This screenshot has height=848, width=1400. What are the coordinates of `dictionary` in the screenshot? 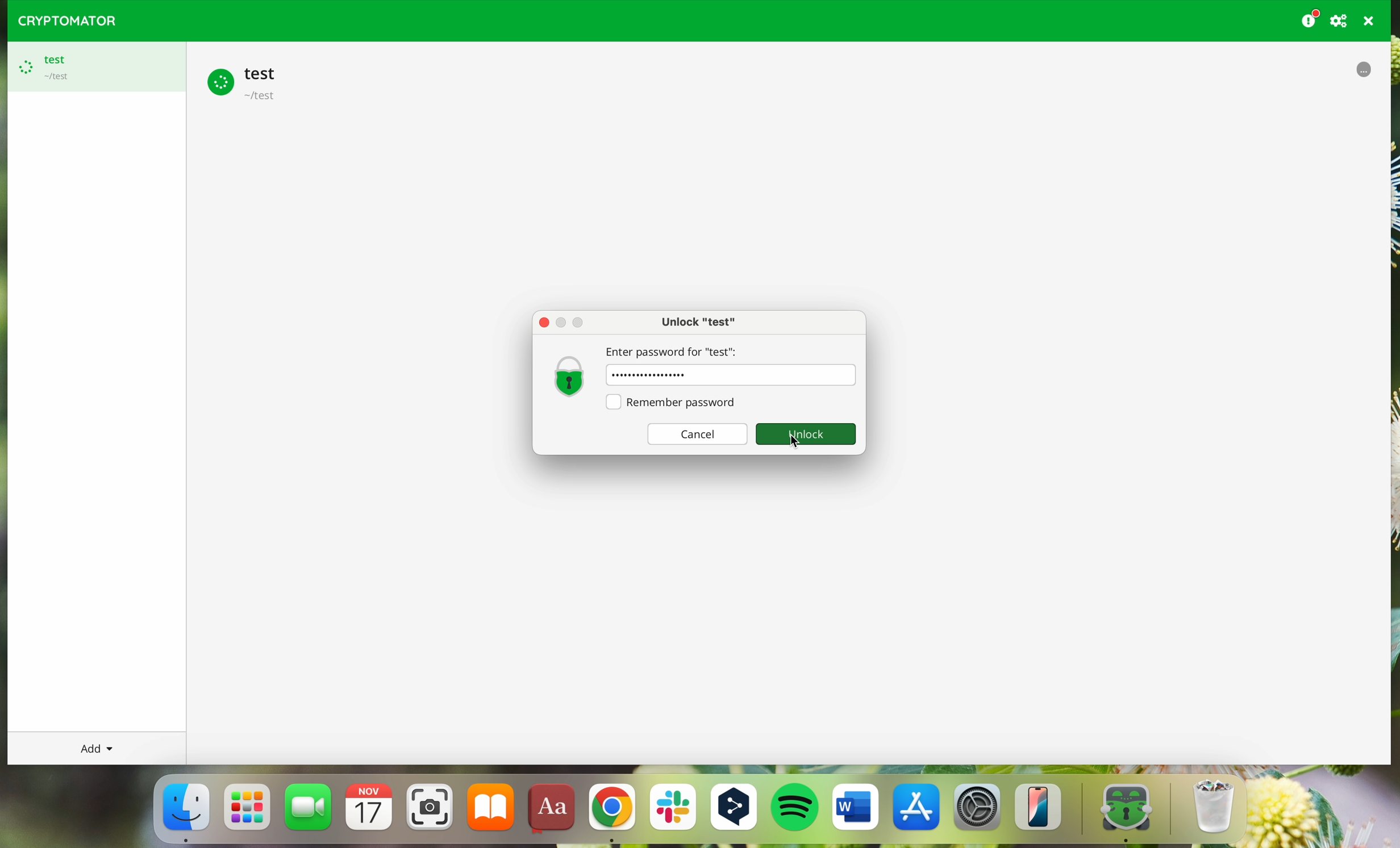 It's located at (554, 812).